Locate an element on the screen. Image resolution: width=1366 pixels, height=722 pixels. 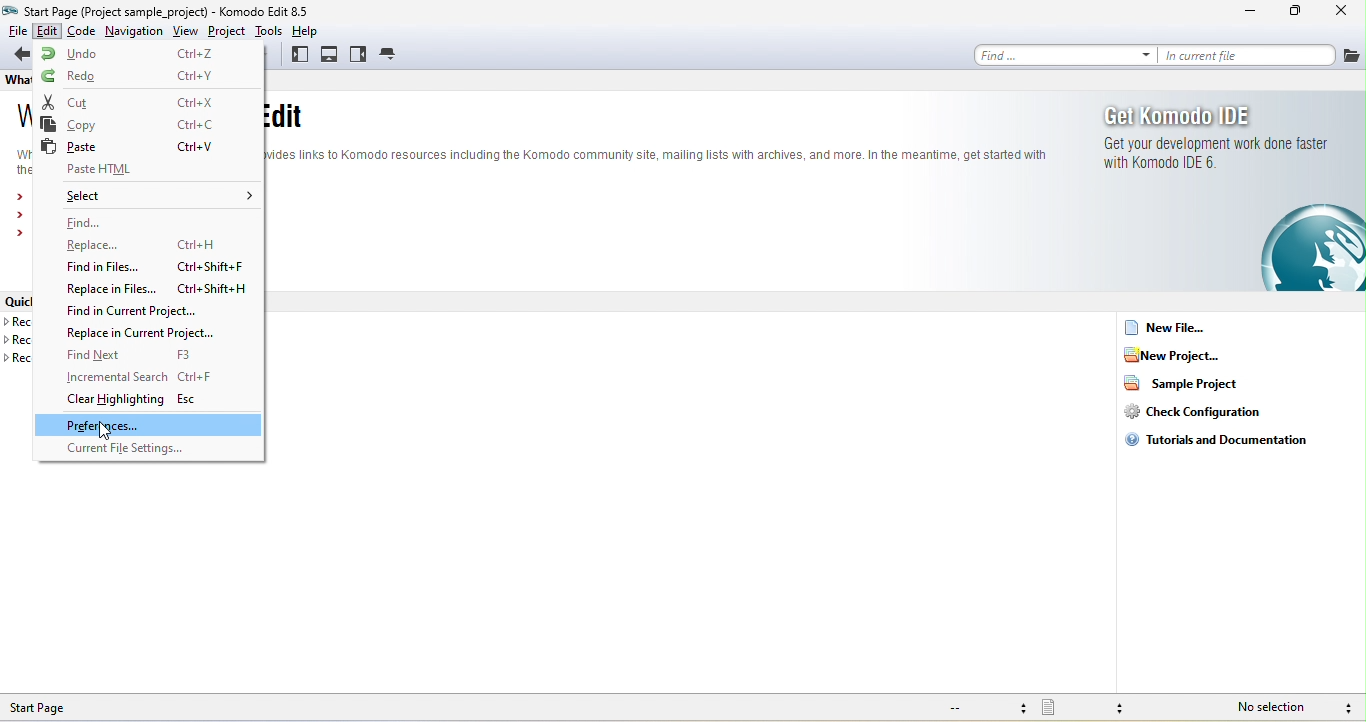
paste html is located at coordinates (152, 170).